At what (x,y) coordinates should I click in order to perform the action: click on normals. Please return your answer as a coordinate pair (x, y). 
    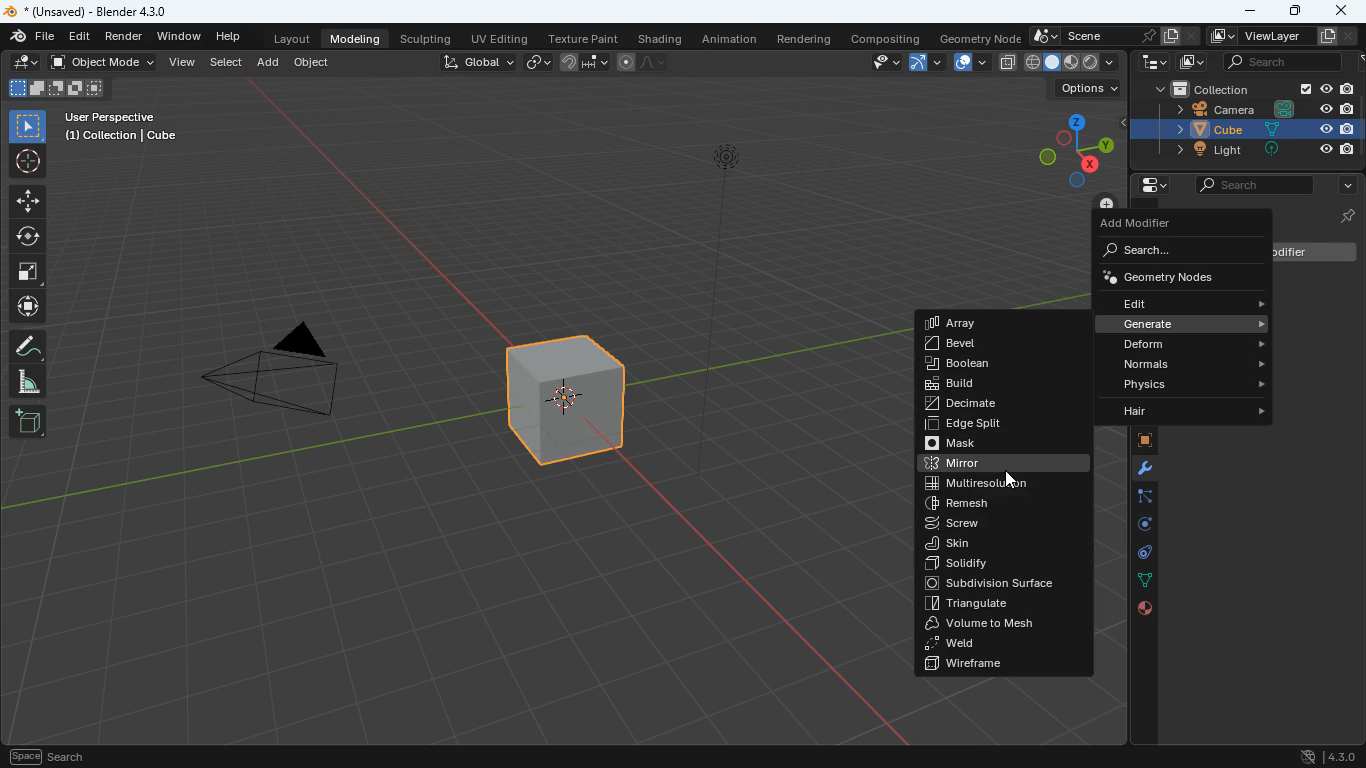
    Looking at the image, I should click on (1193, 363).